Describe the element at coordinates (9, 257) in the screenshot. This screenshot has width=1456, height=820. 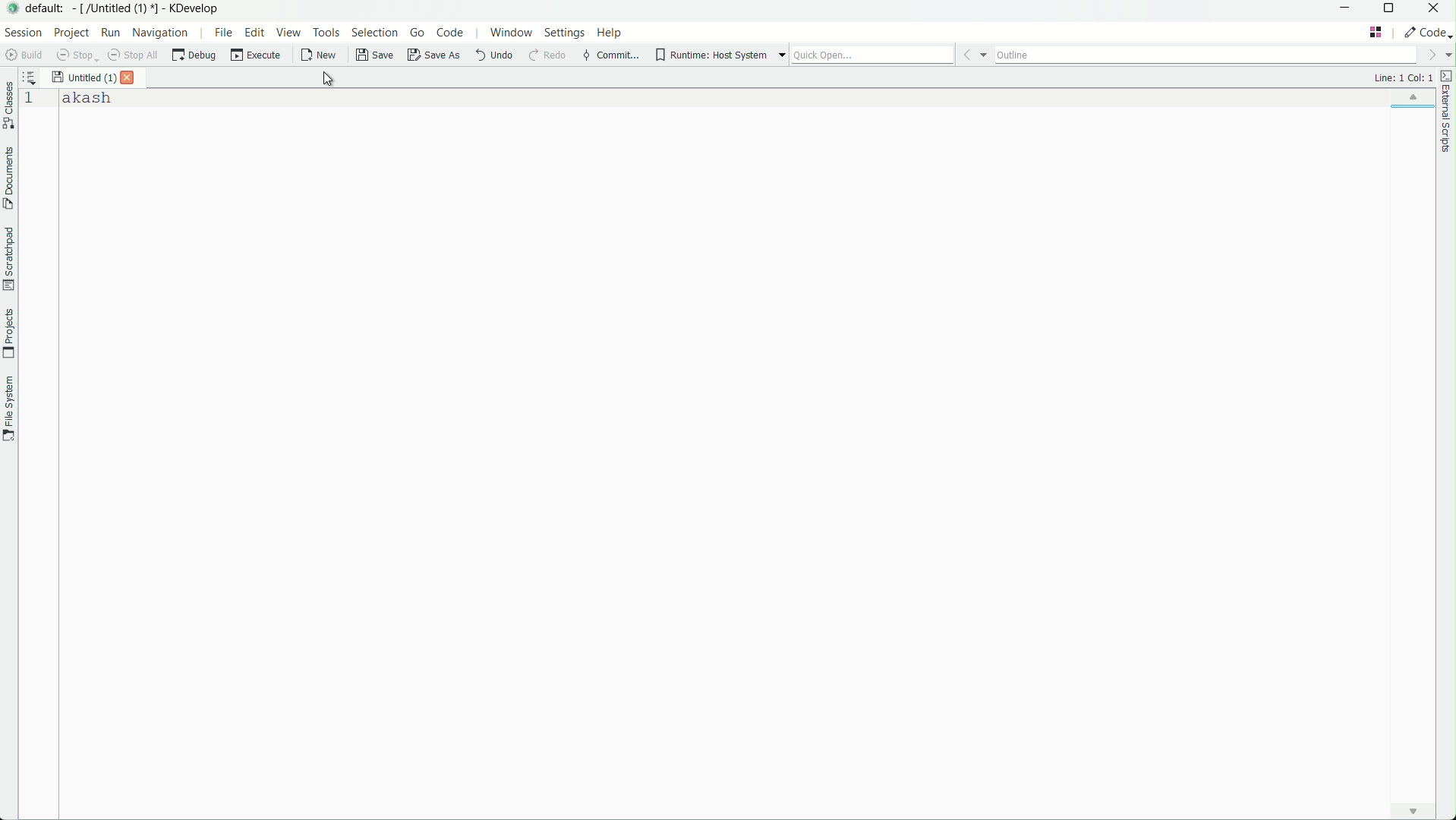
I see `scratchpad` at that location.